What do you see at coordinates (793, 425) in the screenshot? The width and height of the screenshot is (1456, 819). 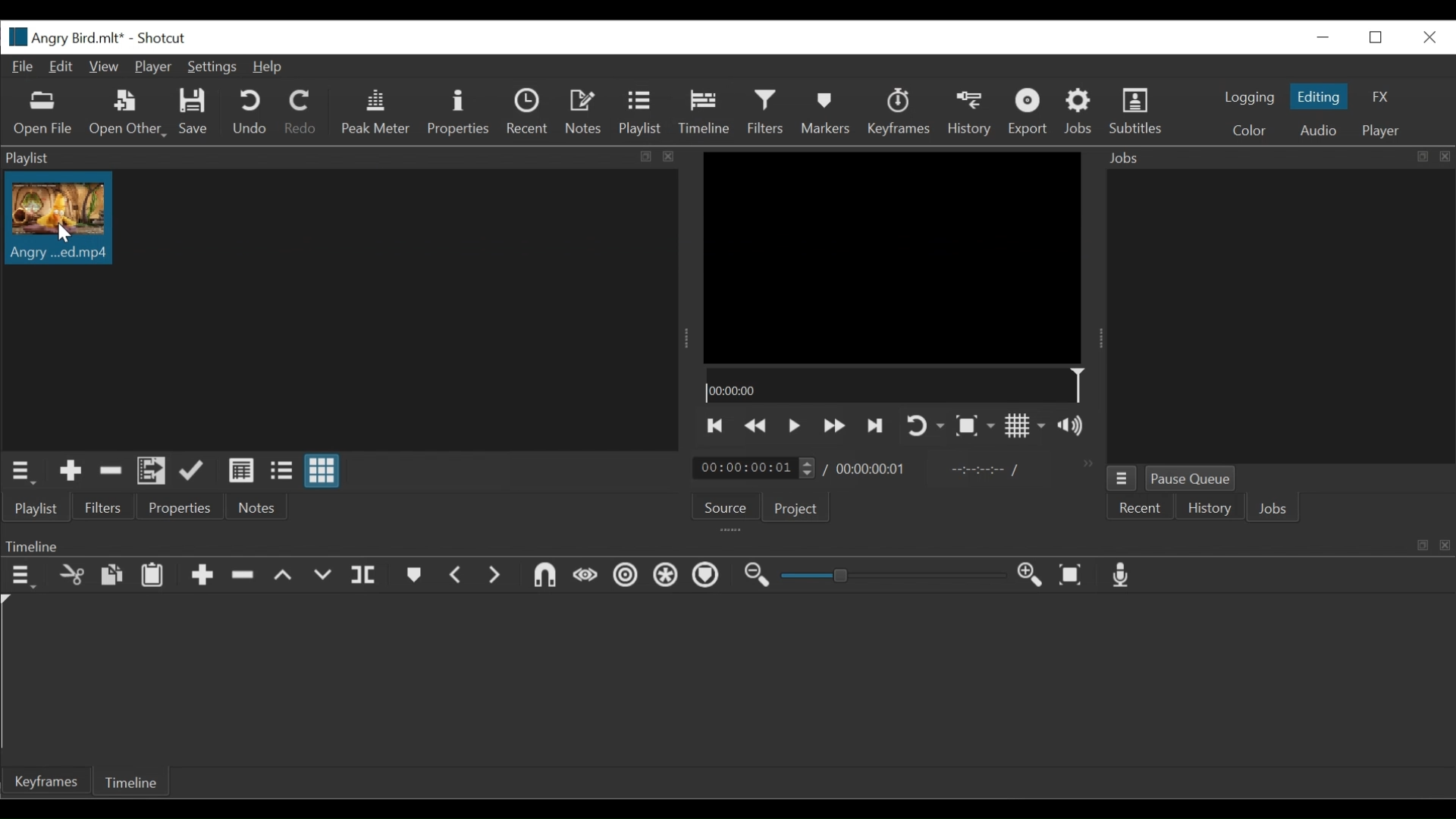 I see `Toggle play or pause` at bounding box center [793, 425].